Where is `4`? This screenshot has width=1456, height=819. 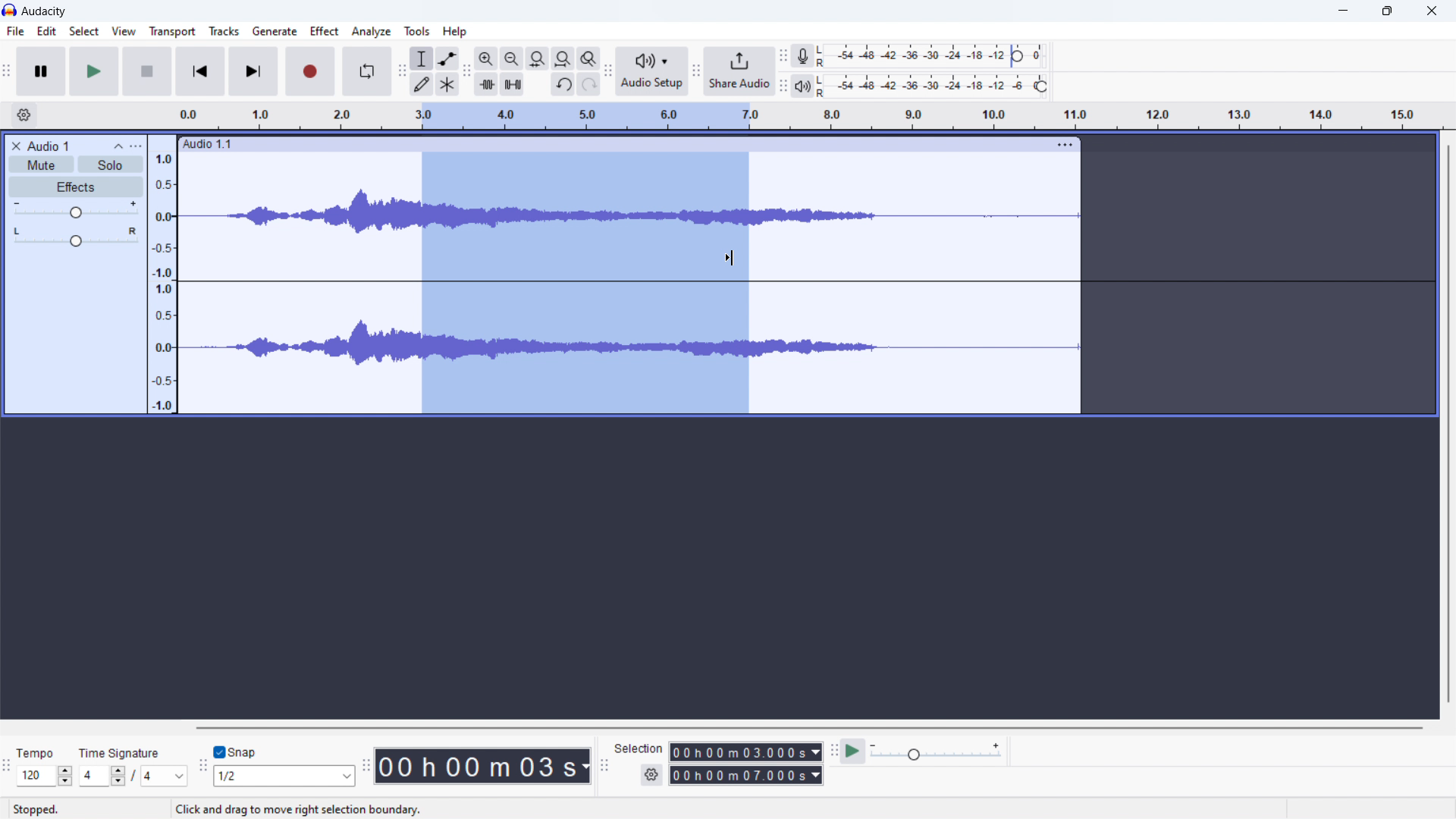
4 is located at coordinates (100, 777).